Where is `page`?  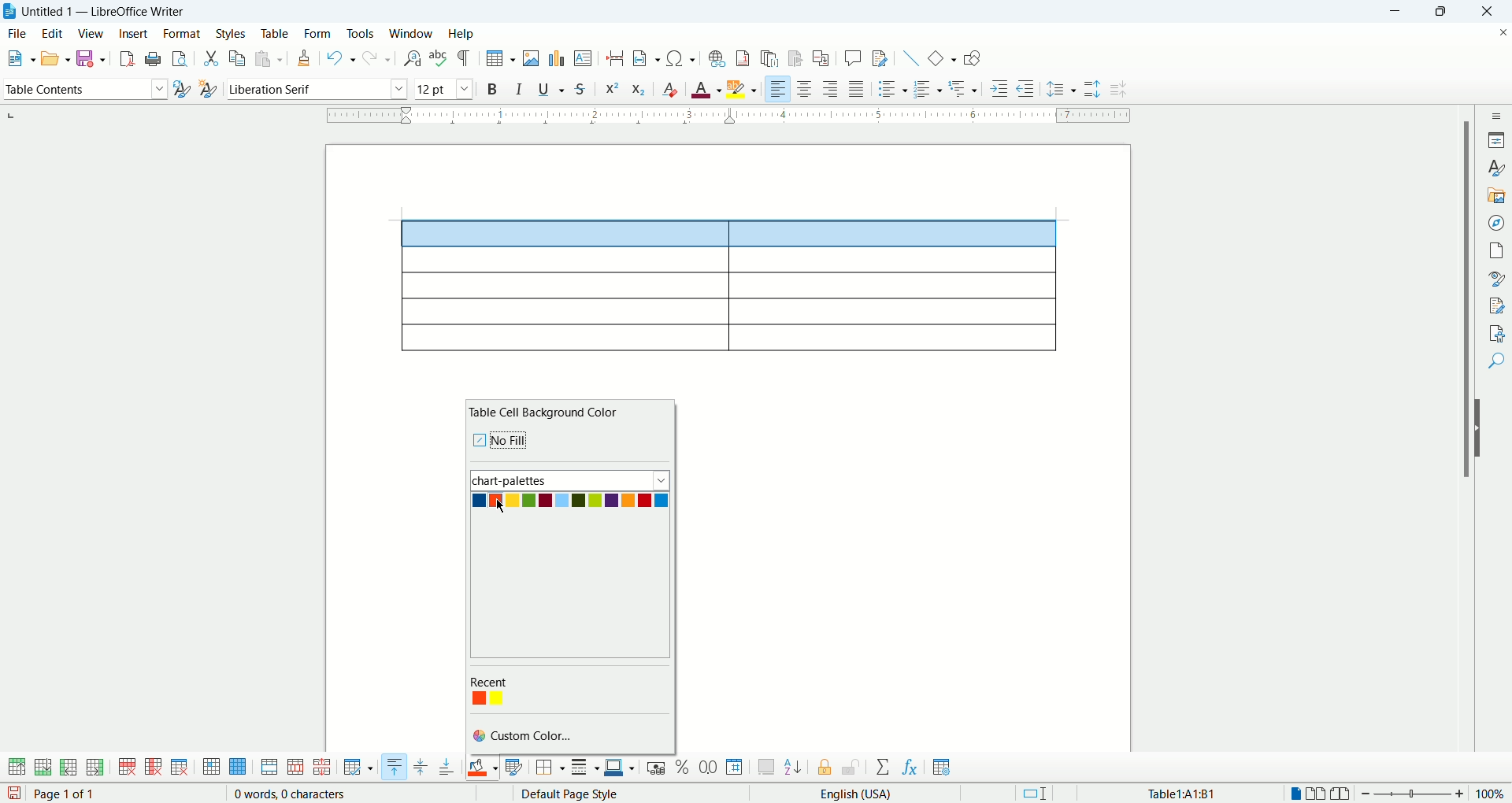 page is located at coordinates (1496, 250).